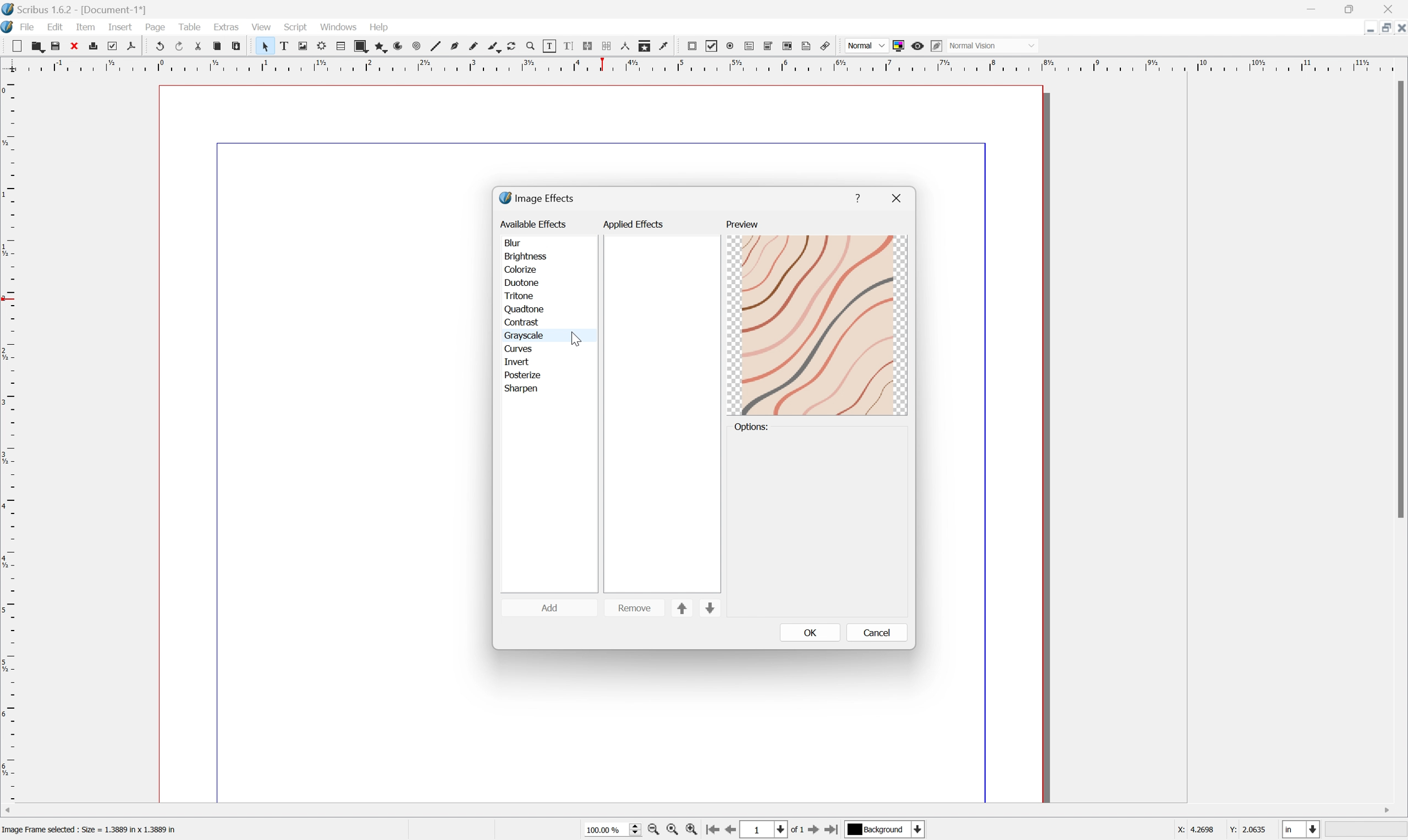  I want to click on preview, so click(741, 224).